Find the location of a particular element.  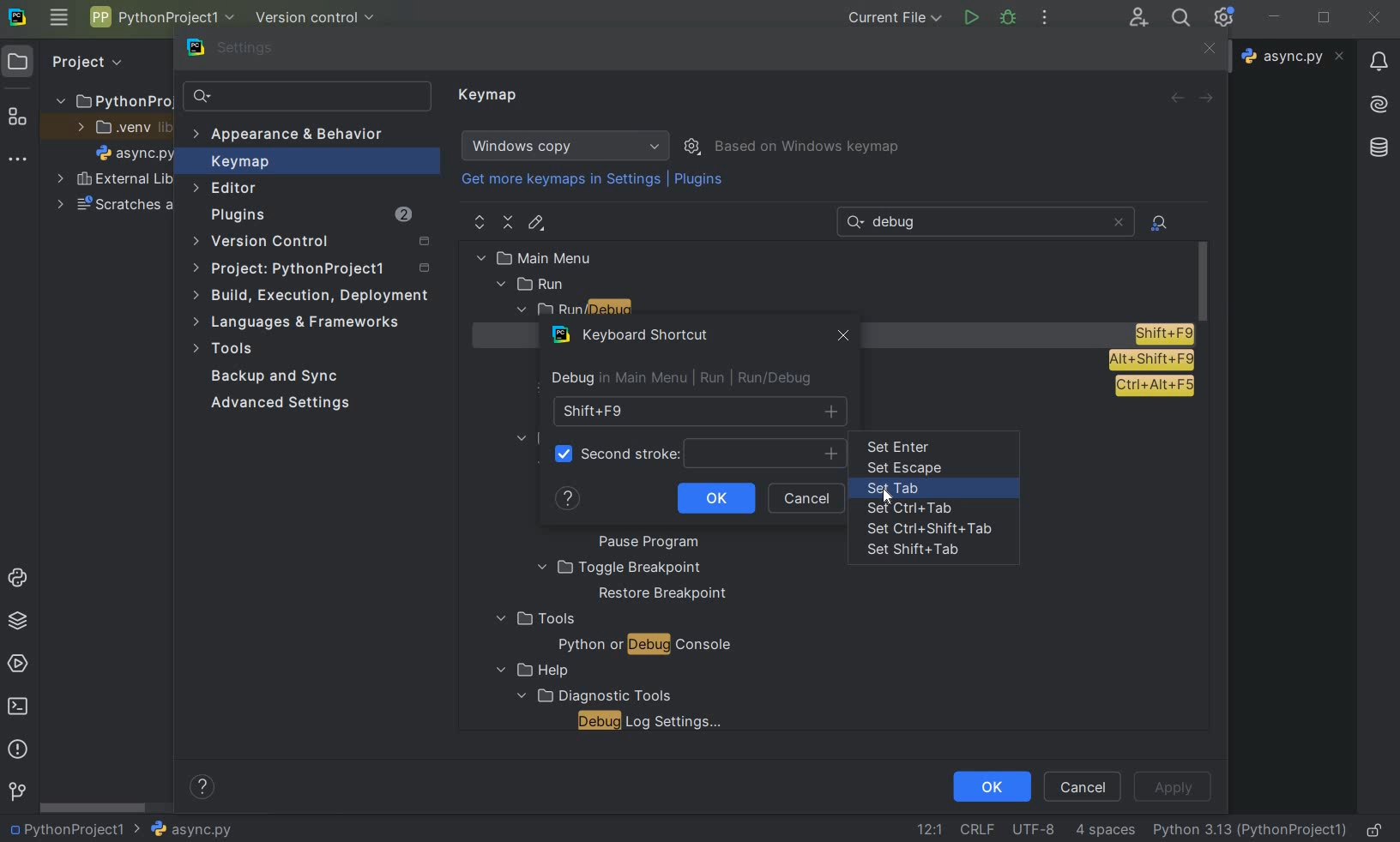

plugins is located at coordinates (310, 217).